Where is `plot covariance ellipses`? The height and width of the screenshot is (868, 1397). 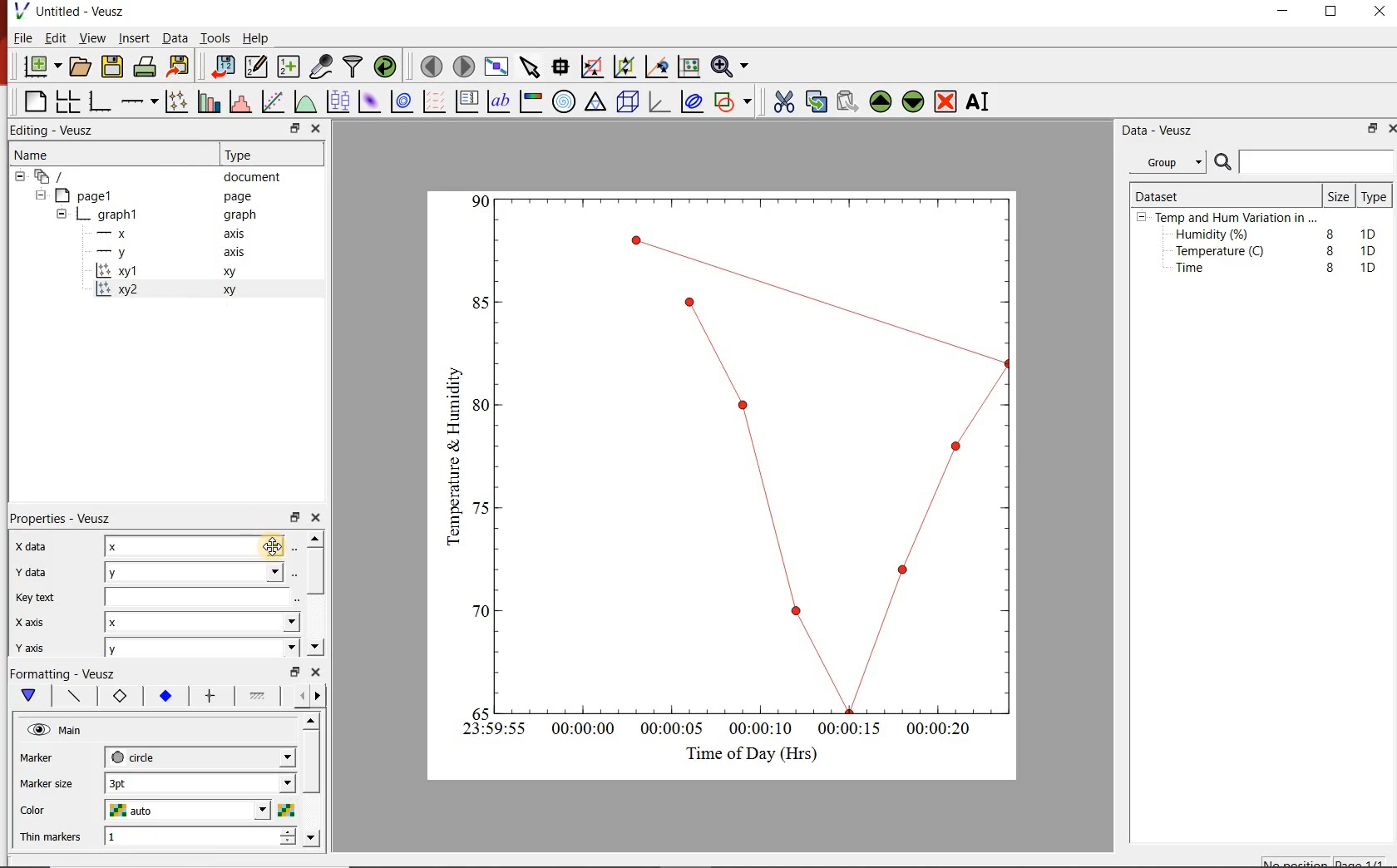
plot covariance ellipses is located at coordinates (696, 105).